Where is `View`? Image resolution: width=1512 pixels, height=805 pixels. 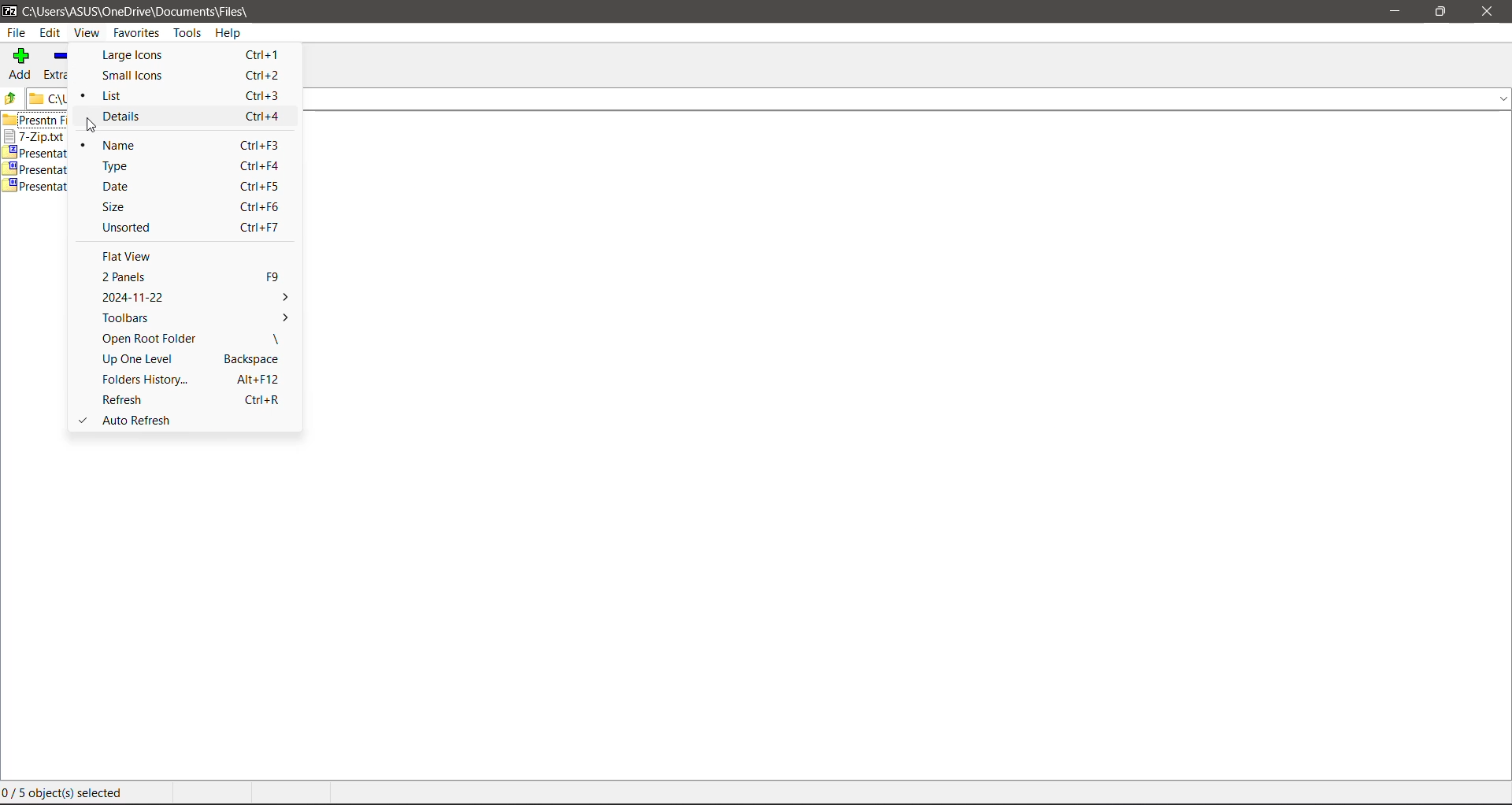
View is located at coordinates (91, 34).